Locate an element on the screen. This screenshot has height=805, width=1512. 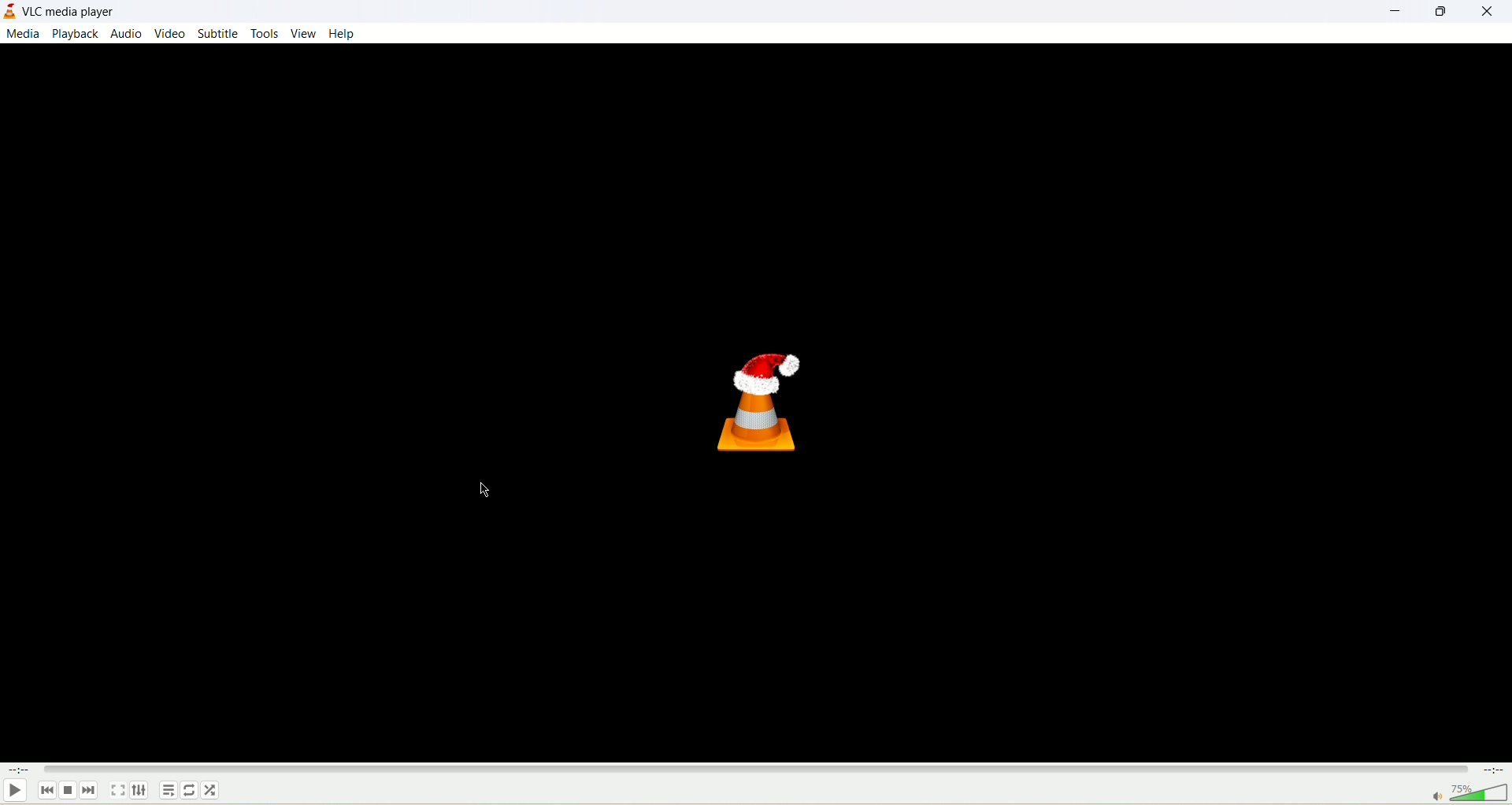
Icon is located at coordinates (756, 399).